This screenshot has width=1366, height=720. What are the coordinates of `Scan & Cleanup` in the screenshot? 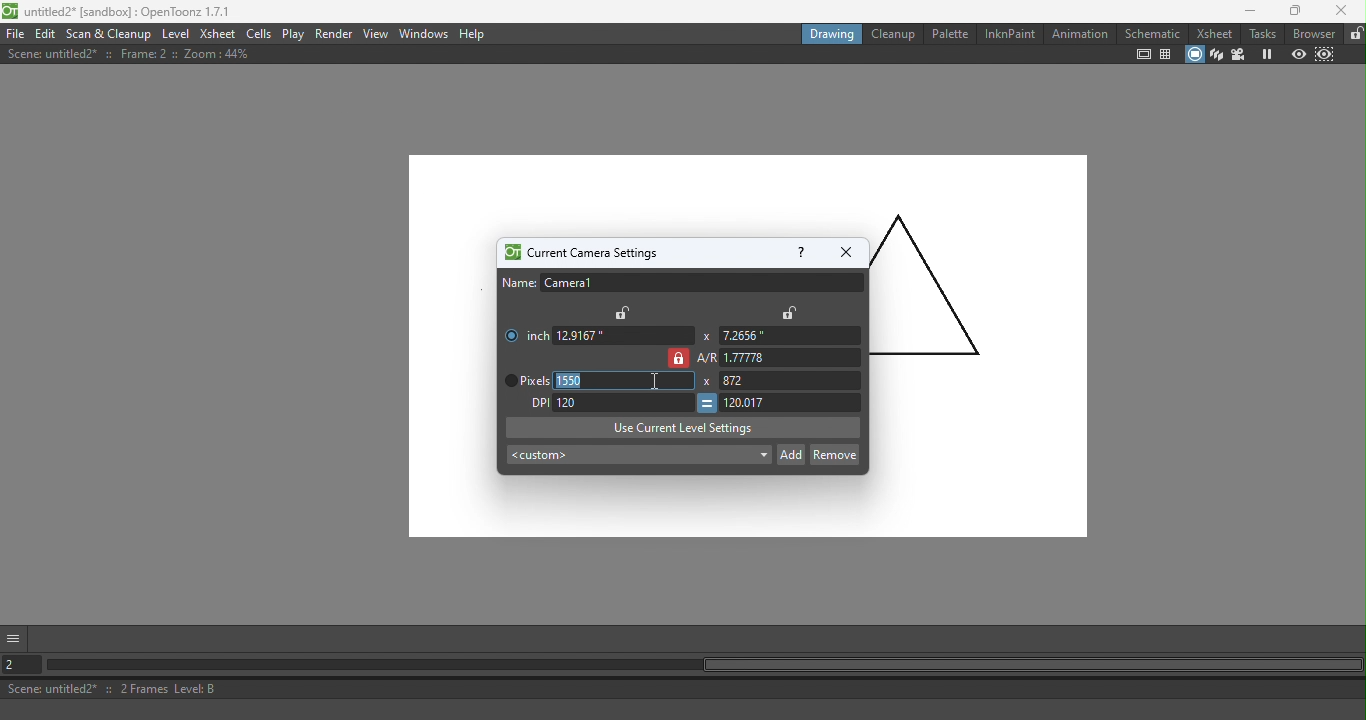 It's located at (109, 33).